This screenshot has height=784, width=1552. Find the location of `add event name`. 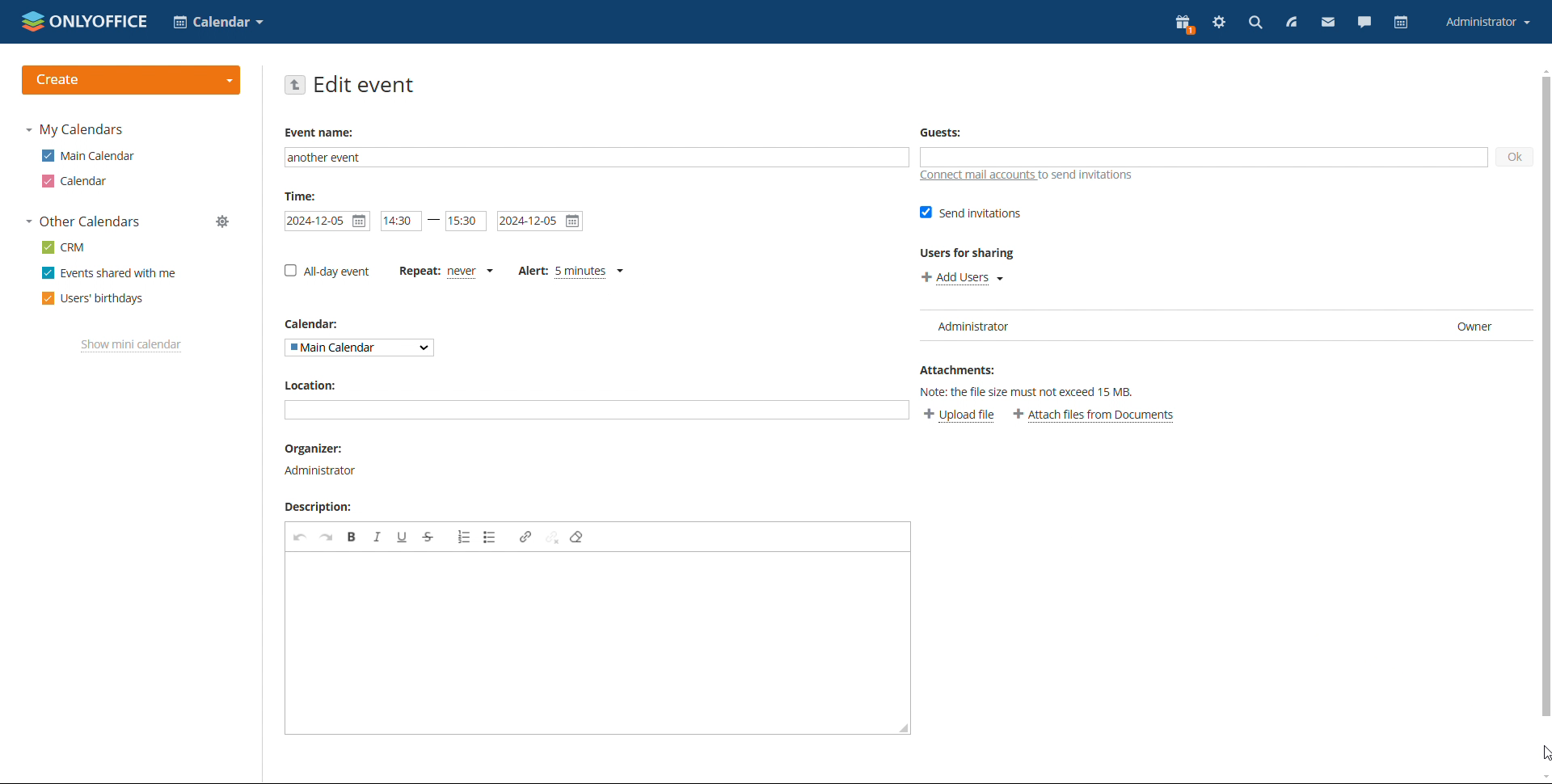

add event name is located at coordinates (597, 158).